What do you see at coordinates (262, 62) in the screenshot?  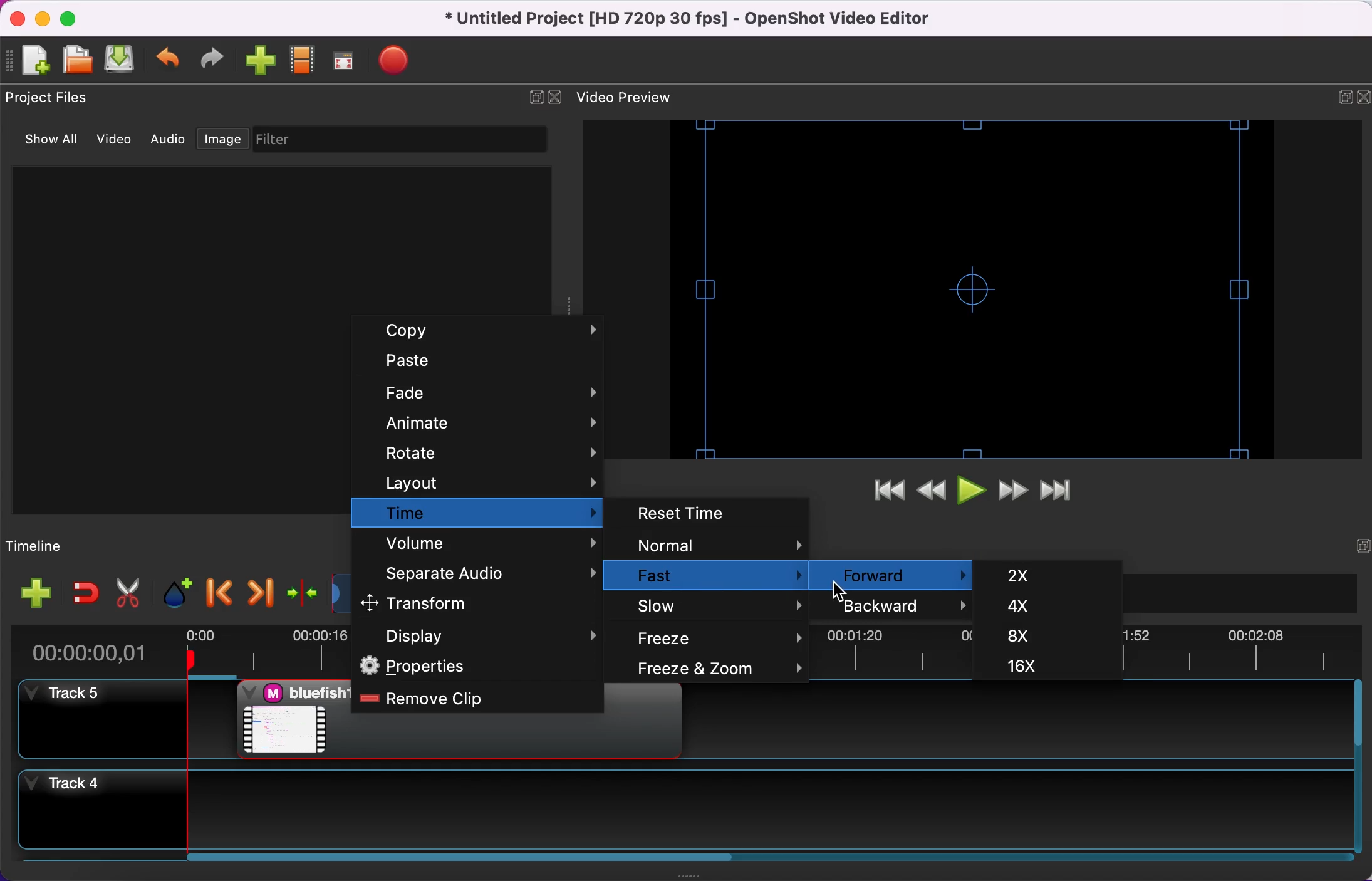 I see `import file` at bounding box center [262, 62].